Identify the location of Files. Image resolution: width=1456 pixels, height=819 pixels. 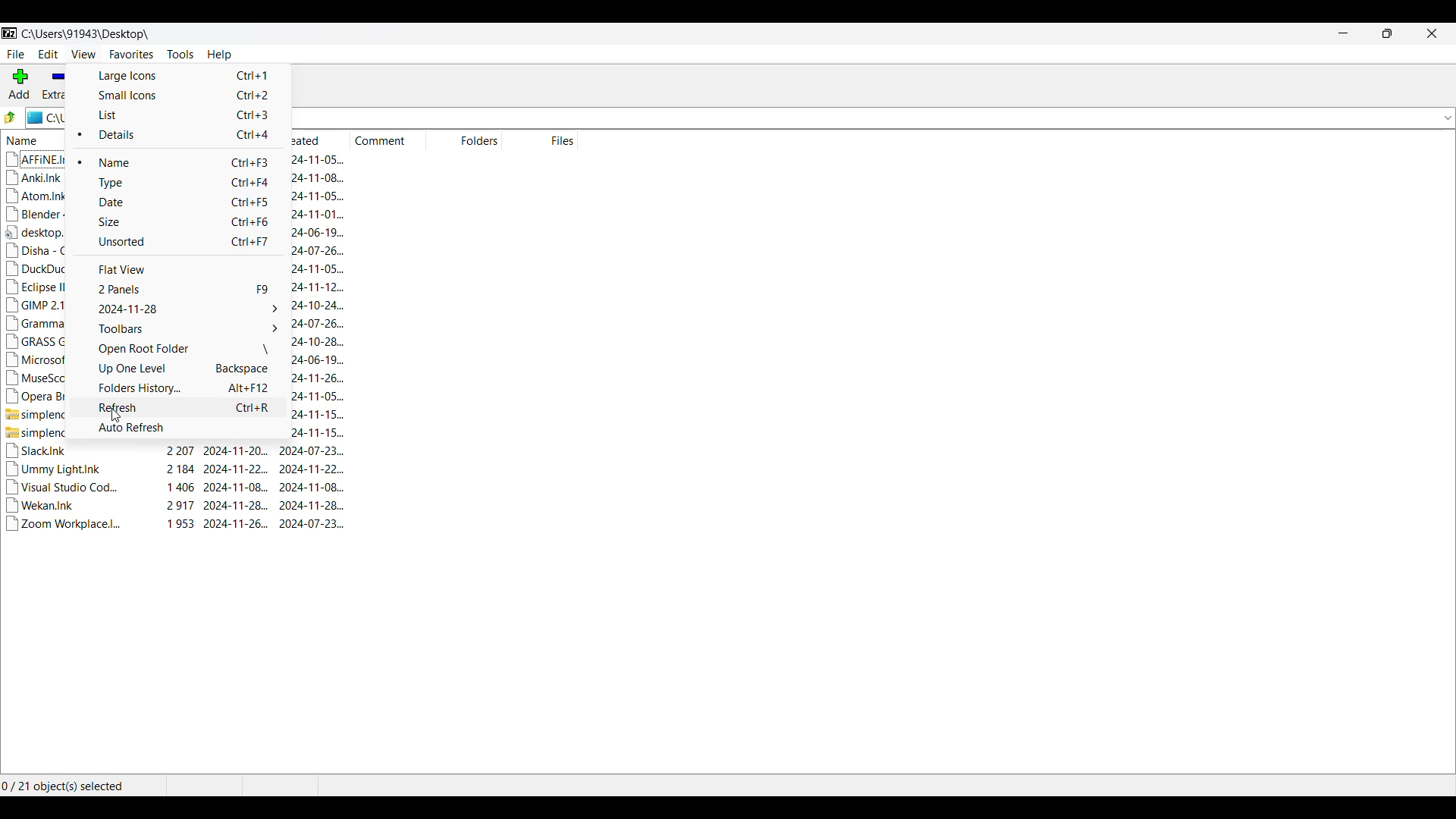
(540, 140).